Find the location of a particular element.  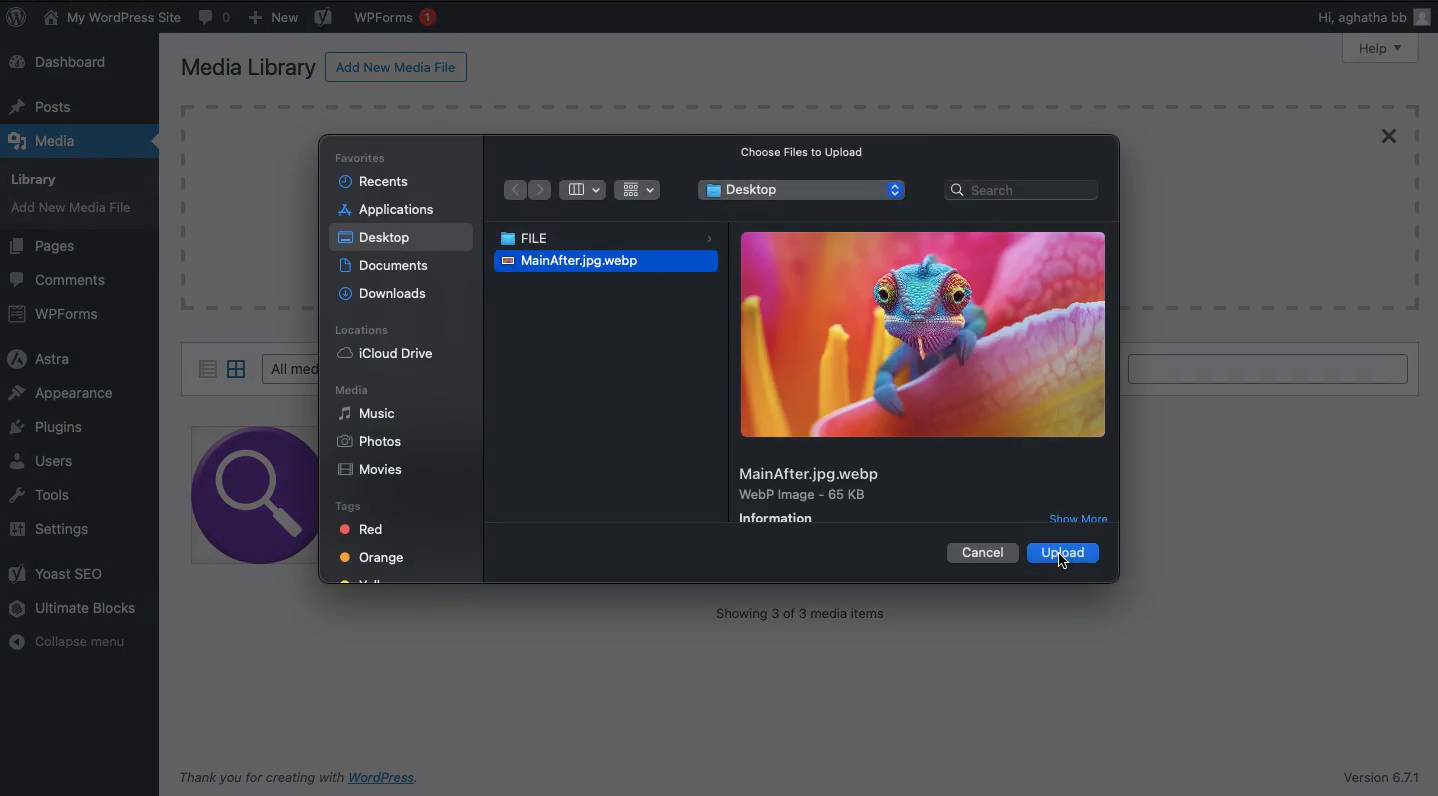

Forward is located at coordinates (542, 191).